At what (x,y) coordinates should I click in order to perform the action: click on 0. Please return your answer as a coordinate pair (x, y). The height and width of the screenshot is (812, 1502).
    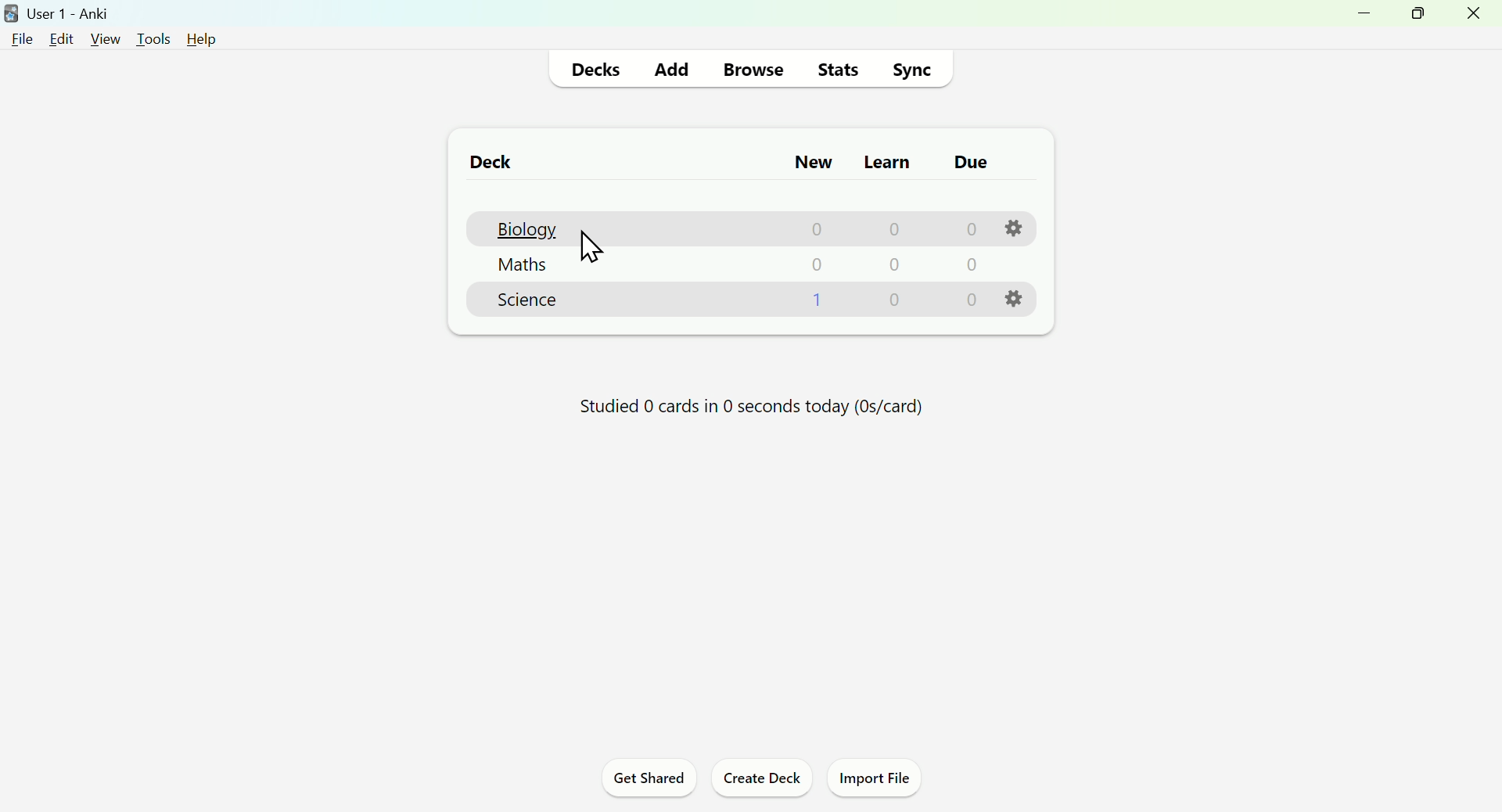
    Looking at the image, I should click on (815, 267).